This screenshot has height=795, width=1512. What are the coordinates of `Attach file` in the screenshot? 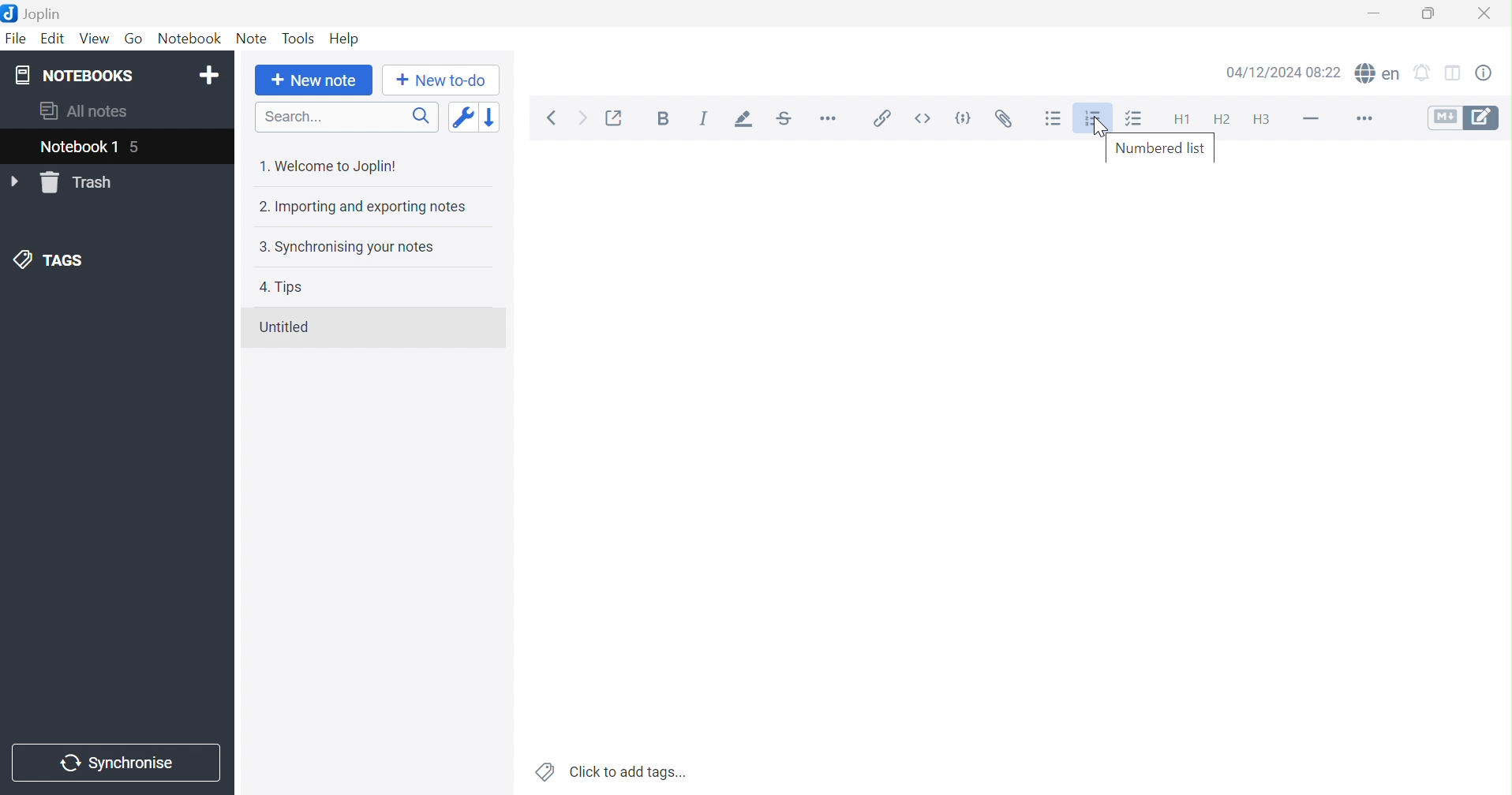 It's located at (1003, 119).